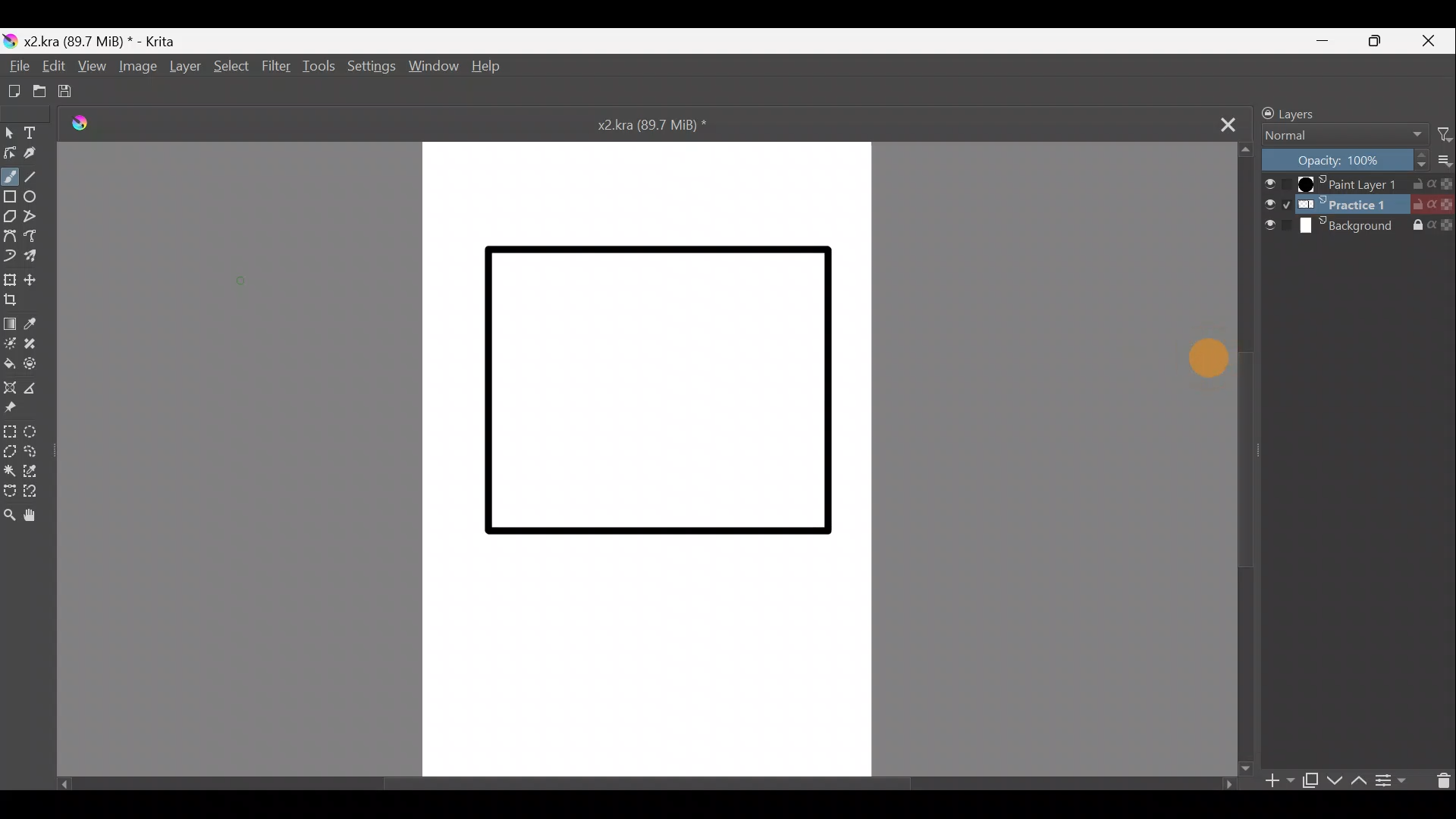 The image size is (1456, 819). What do you see at coordinates (36, 431) in the screenshot?
I see `Elliptical selection tool` at bounding box center [36, 431].